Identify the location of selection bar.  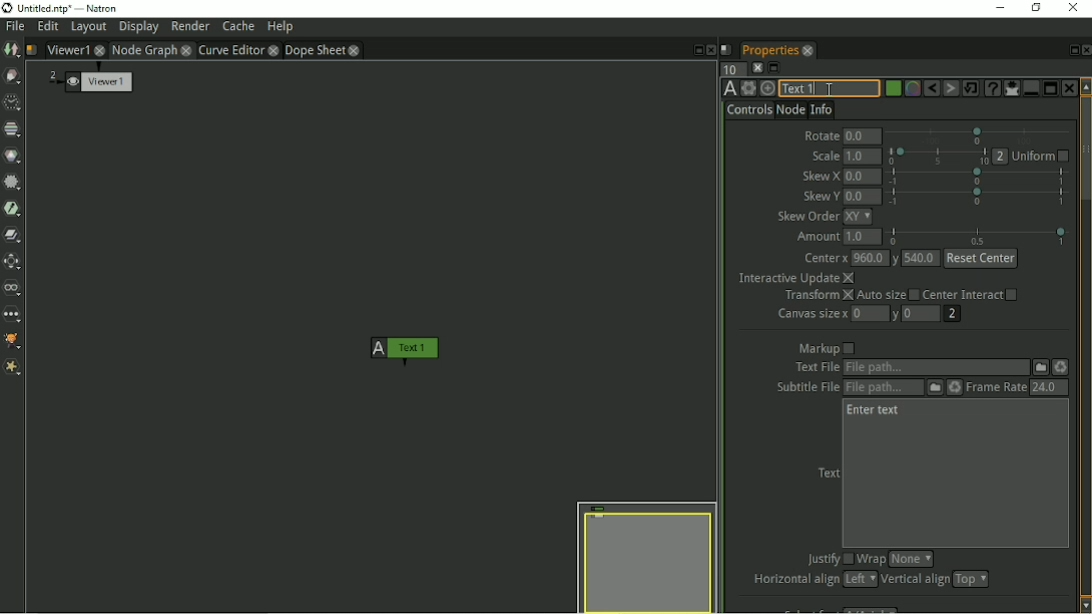
(978, 176).